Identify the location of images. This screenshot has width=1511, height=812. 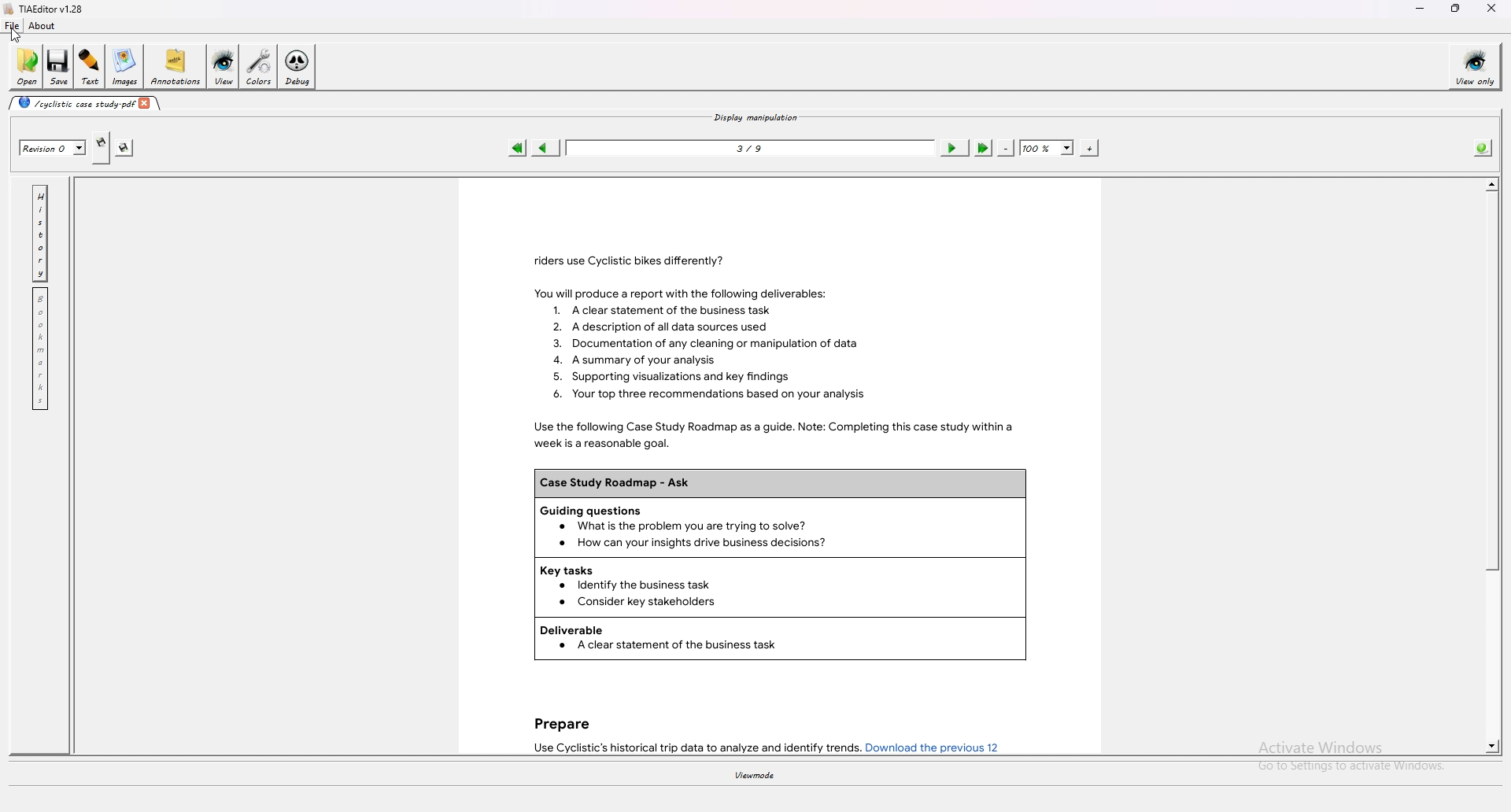
(125, 67).